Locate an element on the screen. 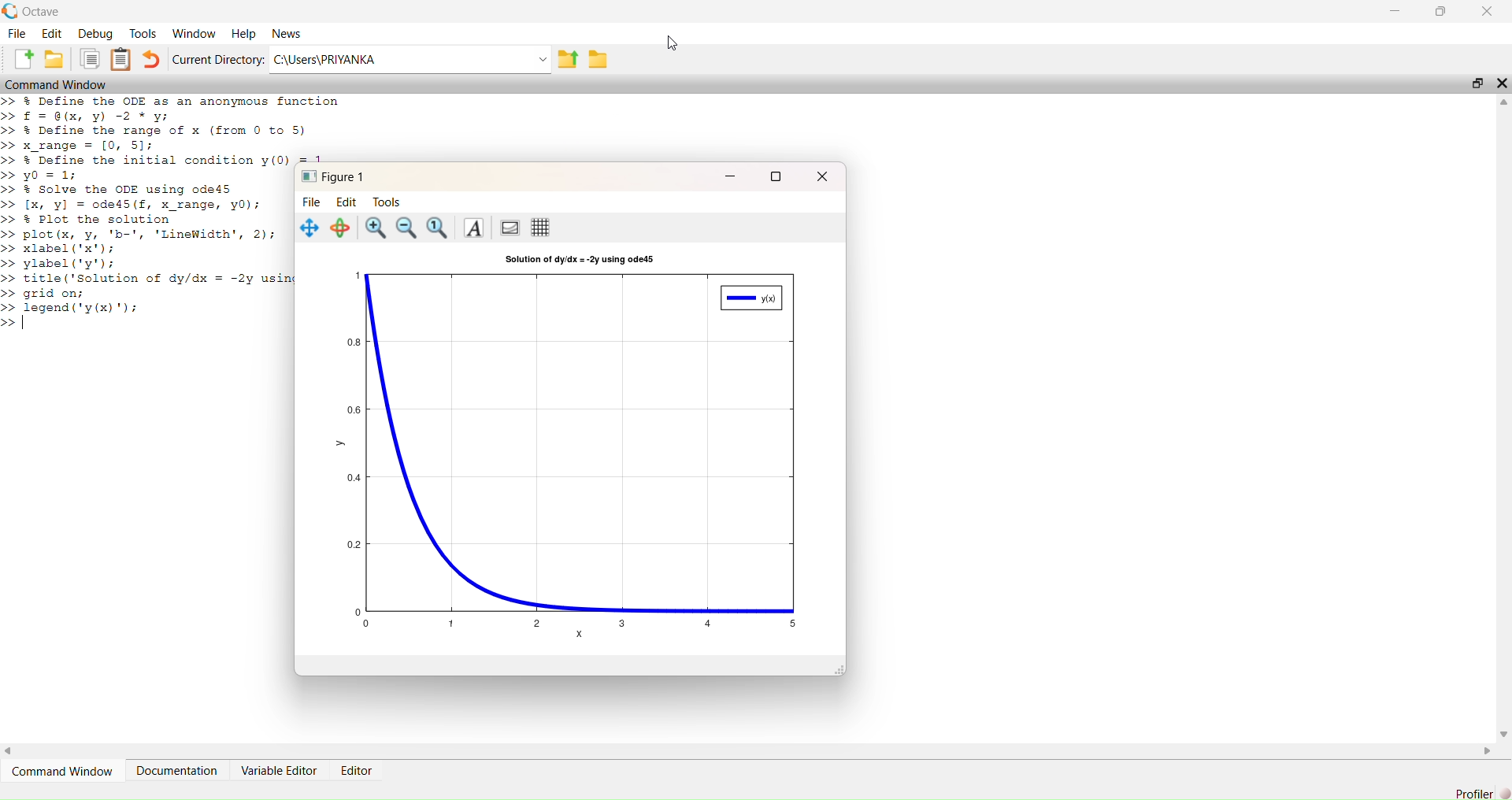 This screenshot has height=800, width=1512. Window is located at coordinates (193, 34).